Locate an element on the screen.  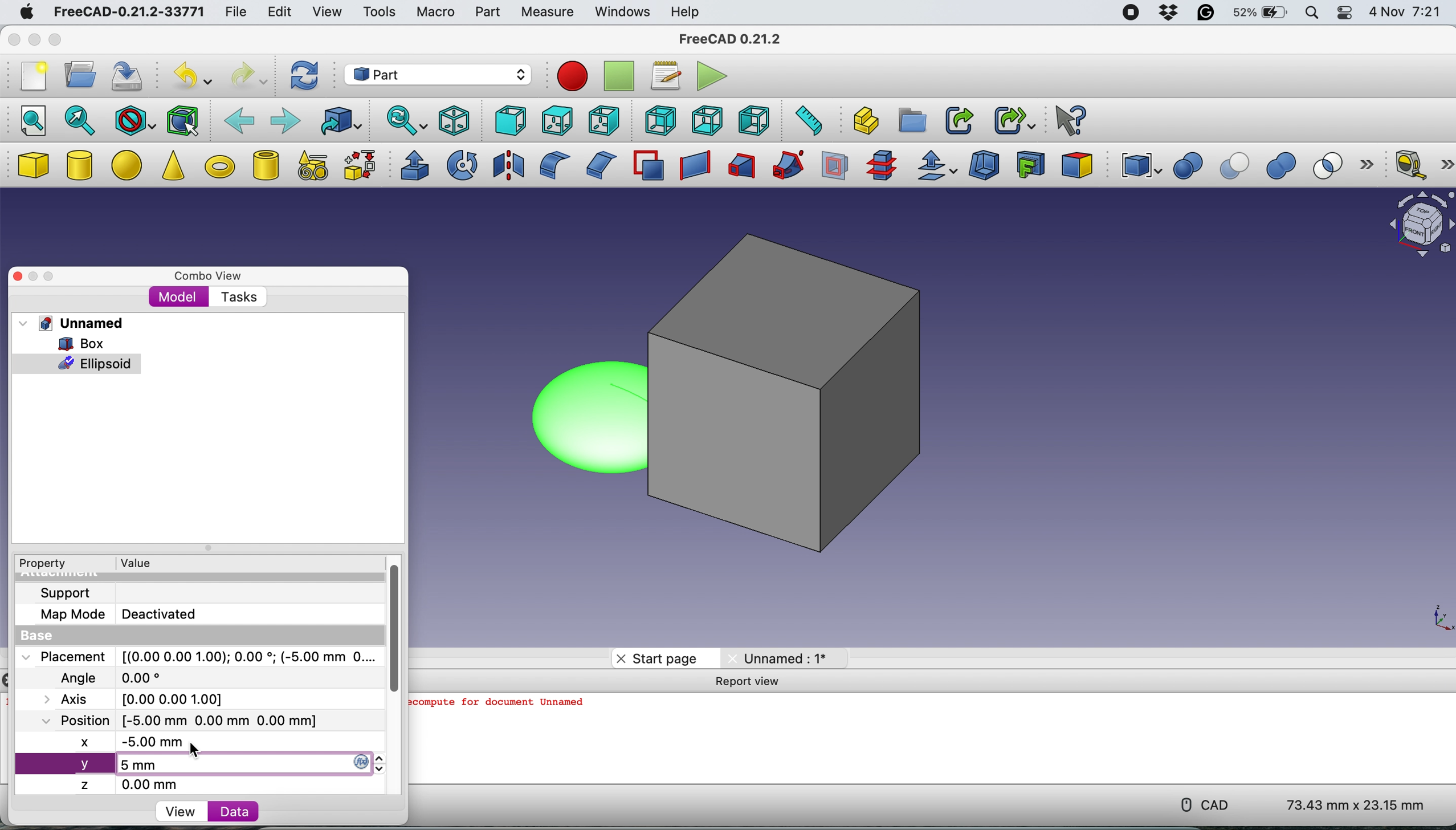
fit all is located at coordinates (28, 119).